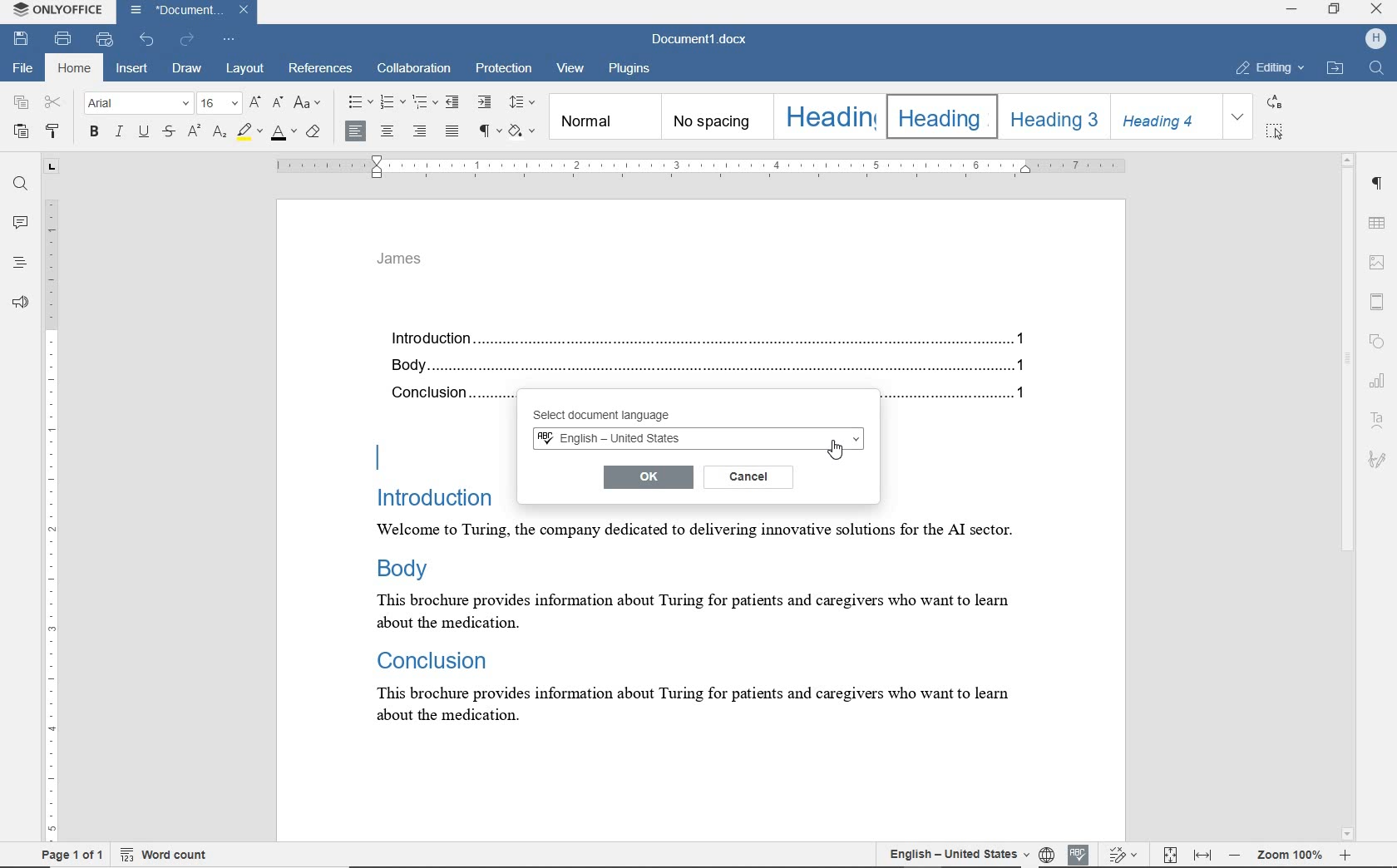 This screenshot has width=1397, height=868. Describe the element at coordinates (1171, 856) in the screenshot. I see `fit to page` at that location.